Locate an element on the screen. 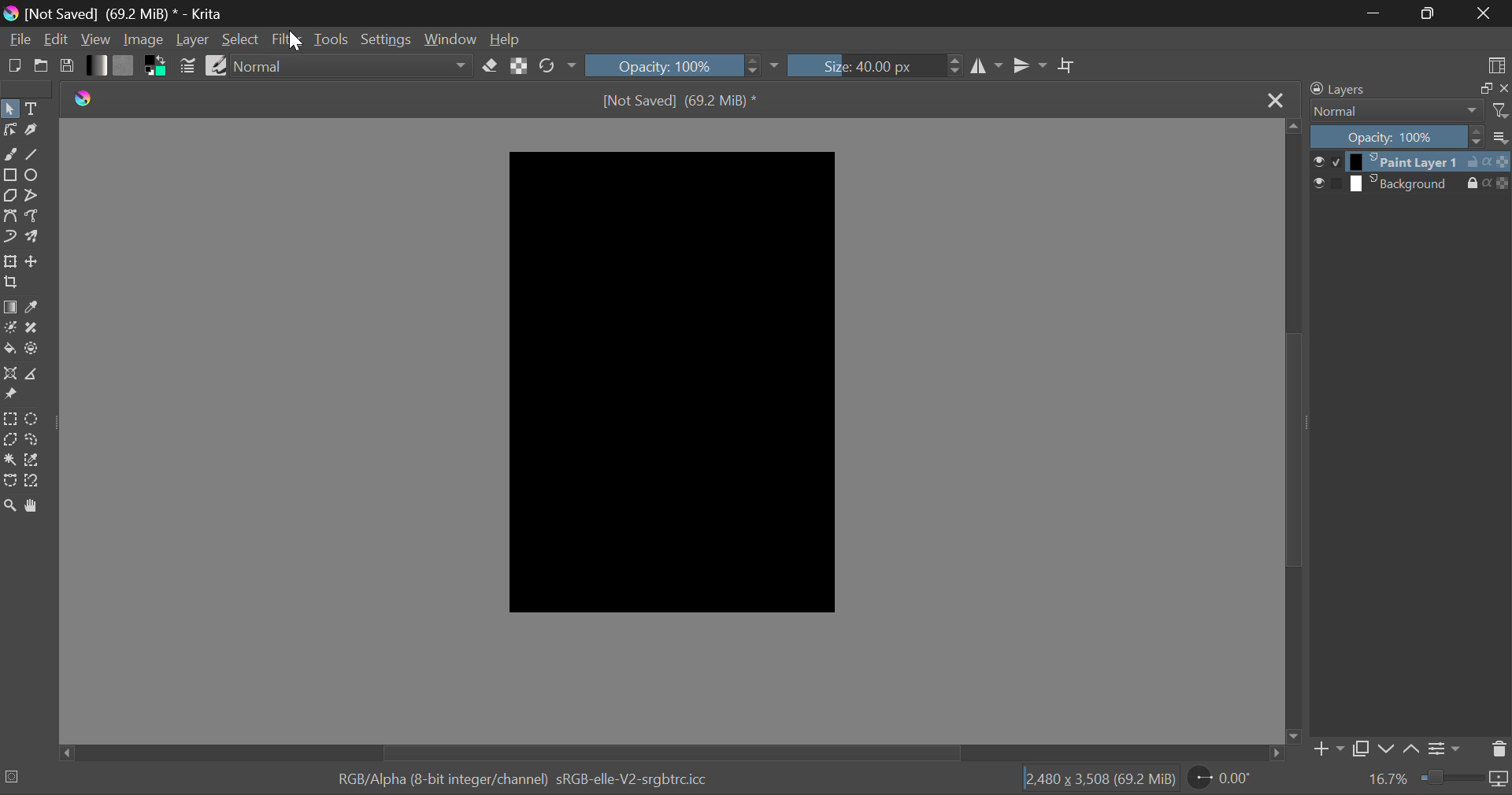 The height and width of the screenshot is (795, 1512). Brush Presets is located at coordinates (216, 65).